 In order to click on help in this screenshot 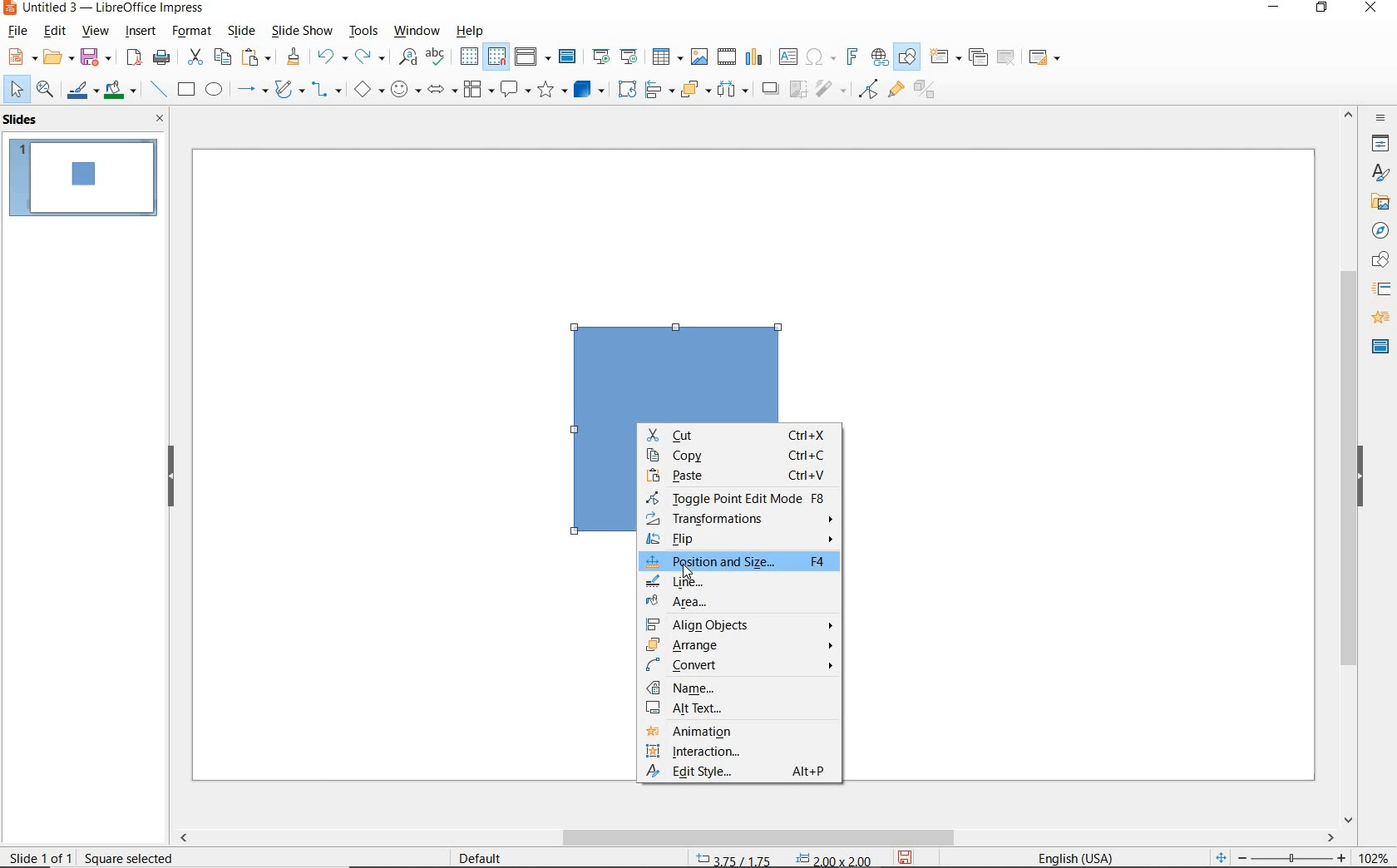, I will do `click(471, 31)`.